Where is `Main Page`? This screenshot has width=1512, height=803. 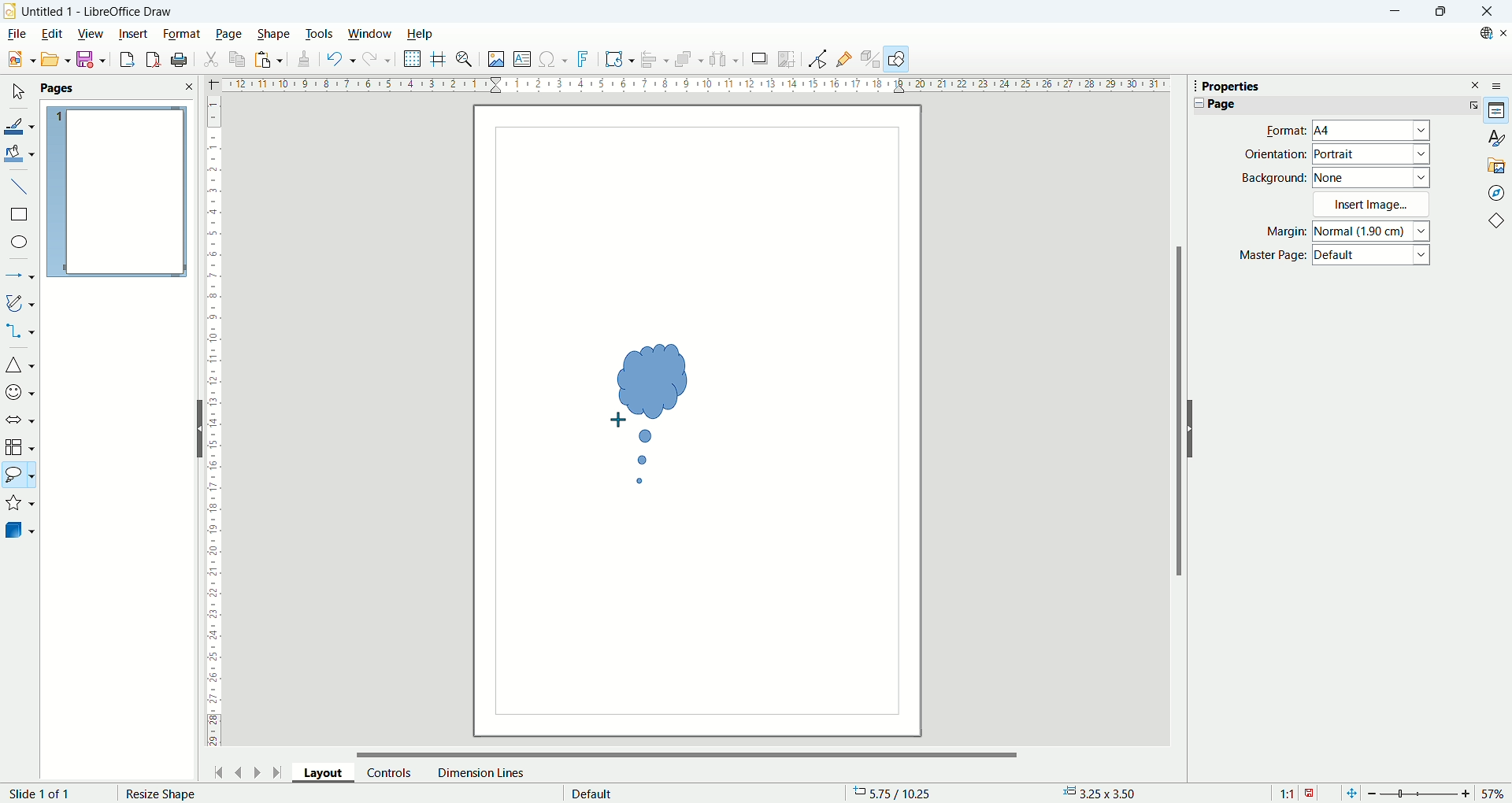
Main Page is located at coordinates (697, 627).